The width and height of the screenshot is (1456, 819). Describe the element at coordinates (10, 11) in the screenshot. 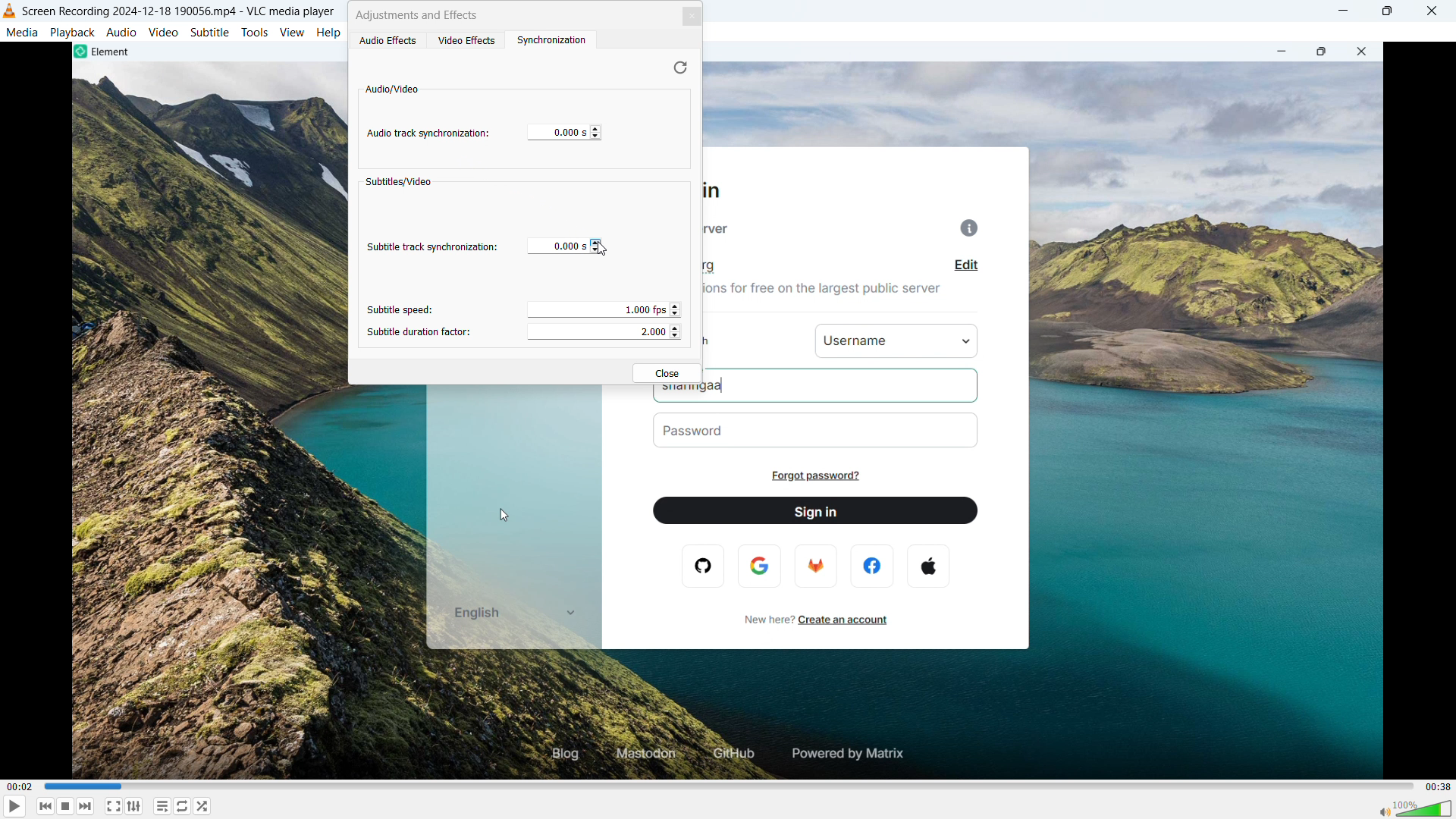

I see `vlc media player logo` at that location.